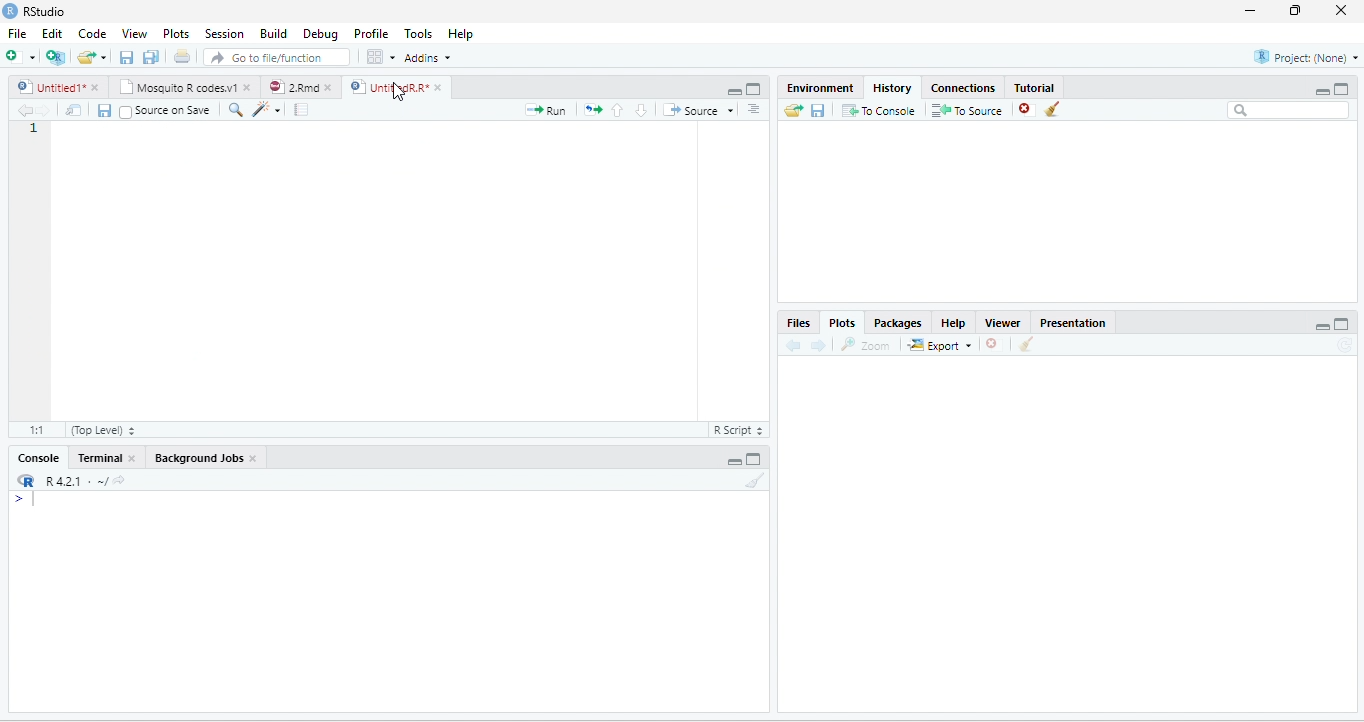  What do you see at coordinates (1342, 89) in the screenshot?
I see `Maximize` at bounding box center [1342, 89].